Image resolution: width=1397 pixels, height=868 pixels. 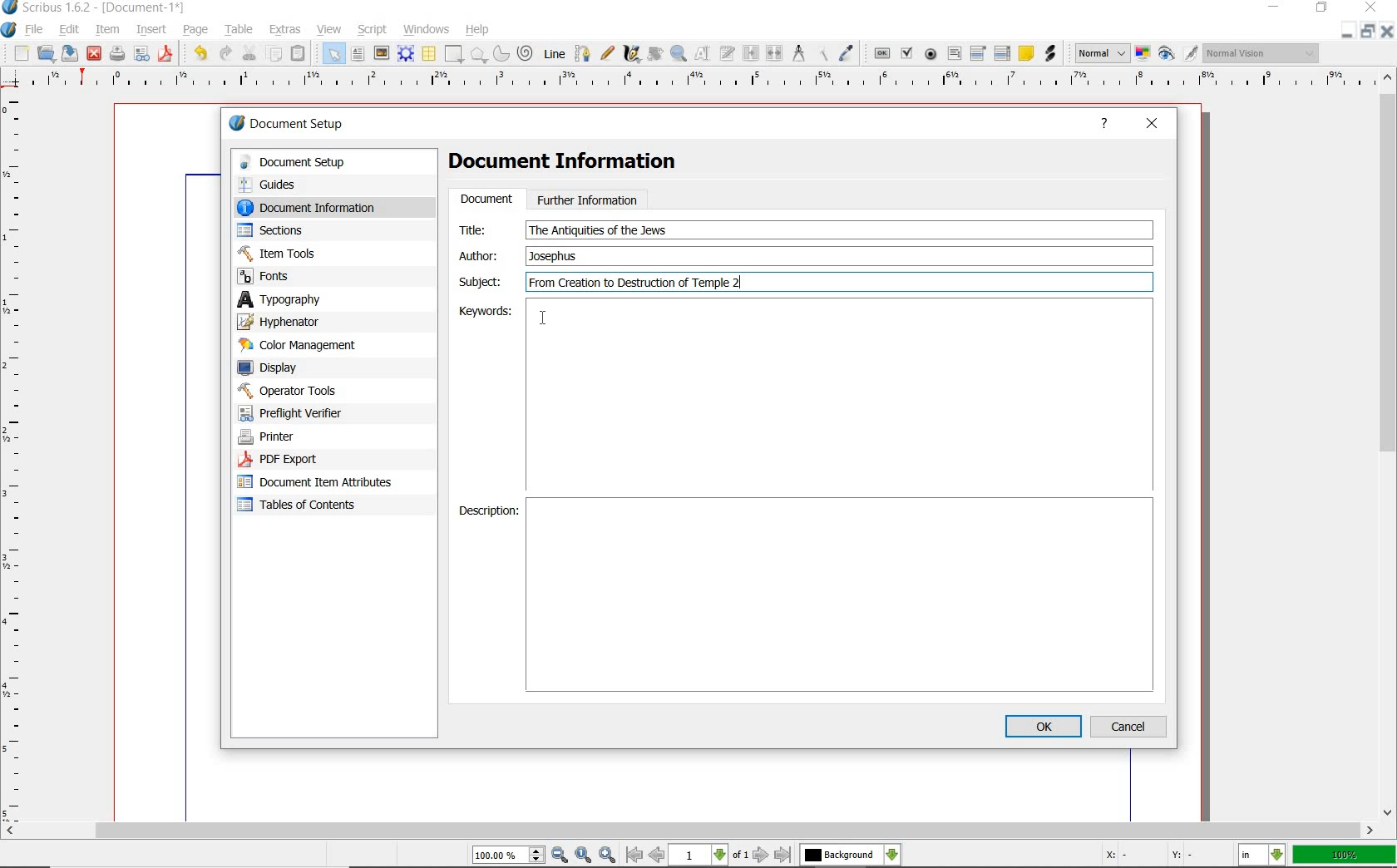 What do you see at coordinates (297, 367) in the screenshot?
I see `display` at bounding box center [297, 367].